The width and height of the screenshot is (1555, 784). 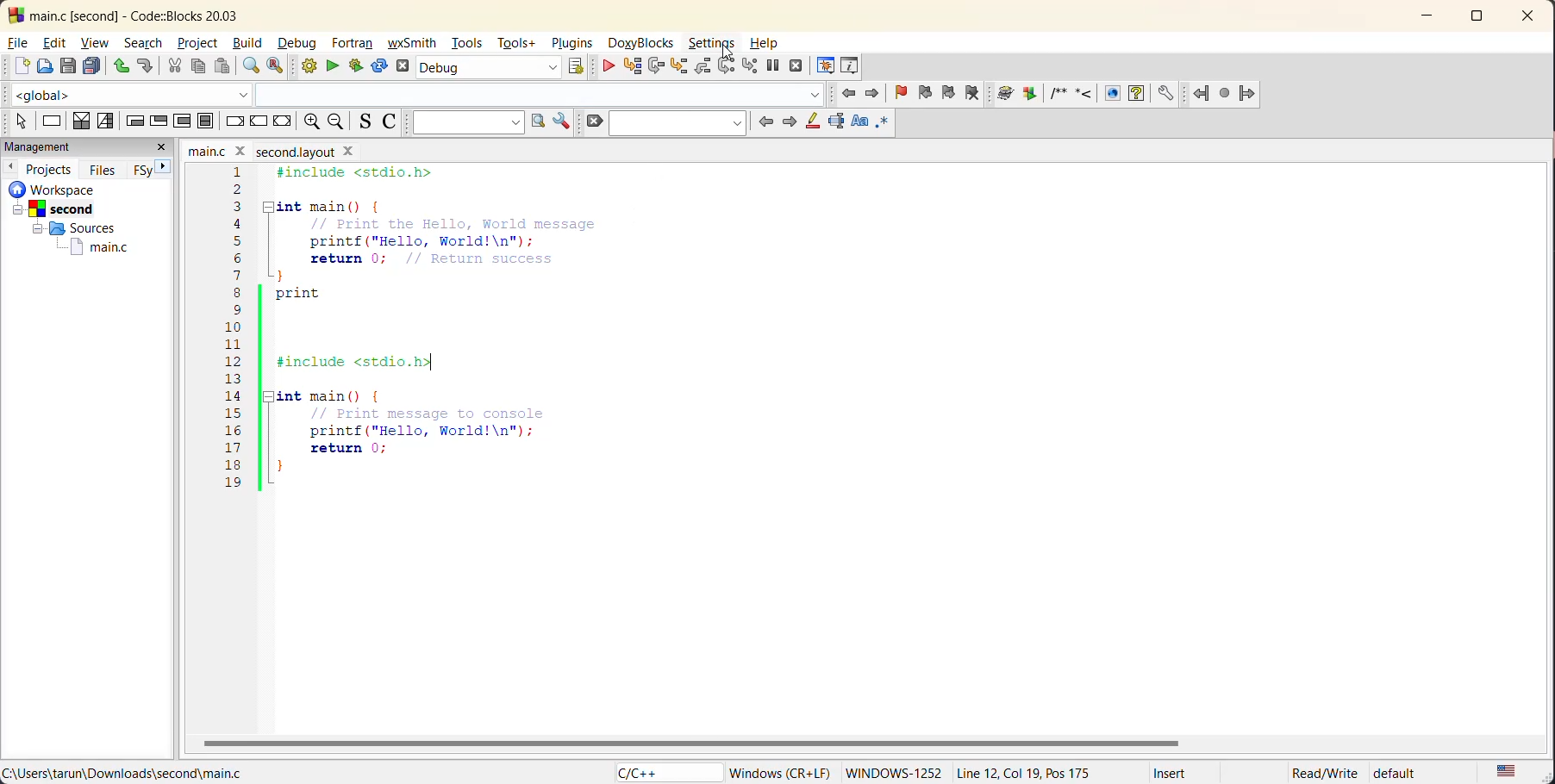 I want to click on new, so click(x=16, y=66).